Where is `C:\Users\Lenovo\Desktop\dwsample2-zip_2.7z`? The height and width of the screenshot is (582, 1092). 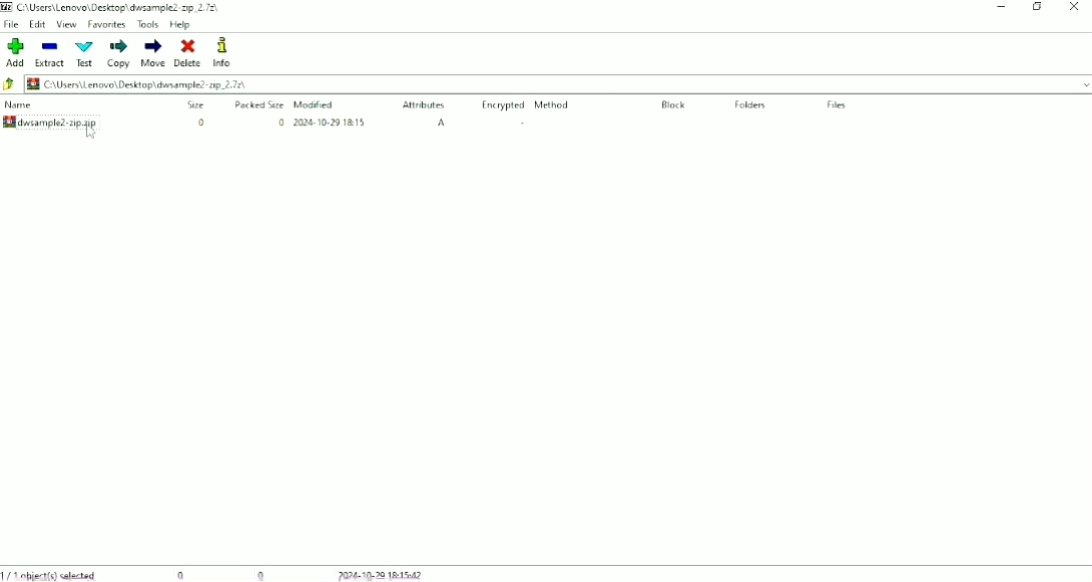
C:\Users\Lenovo\Desktop\dwsample2-zip_2.7z is located at coordinates (119, 7).